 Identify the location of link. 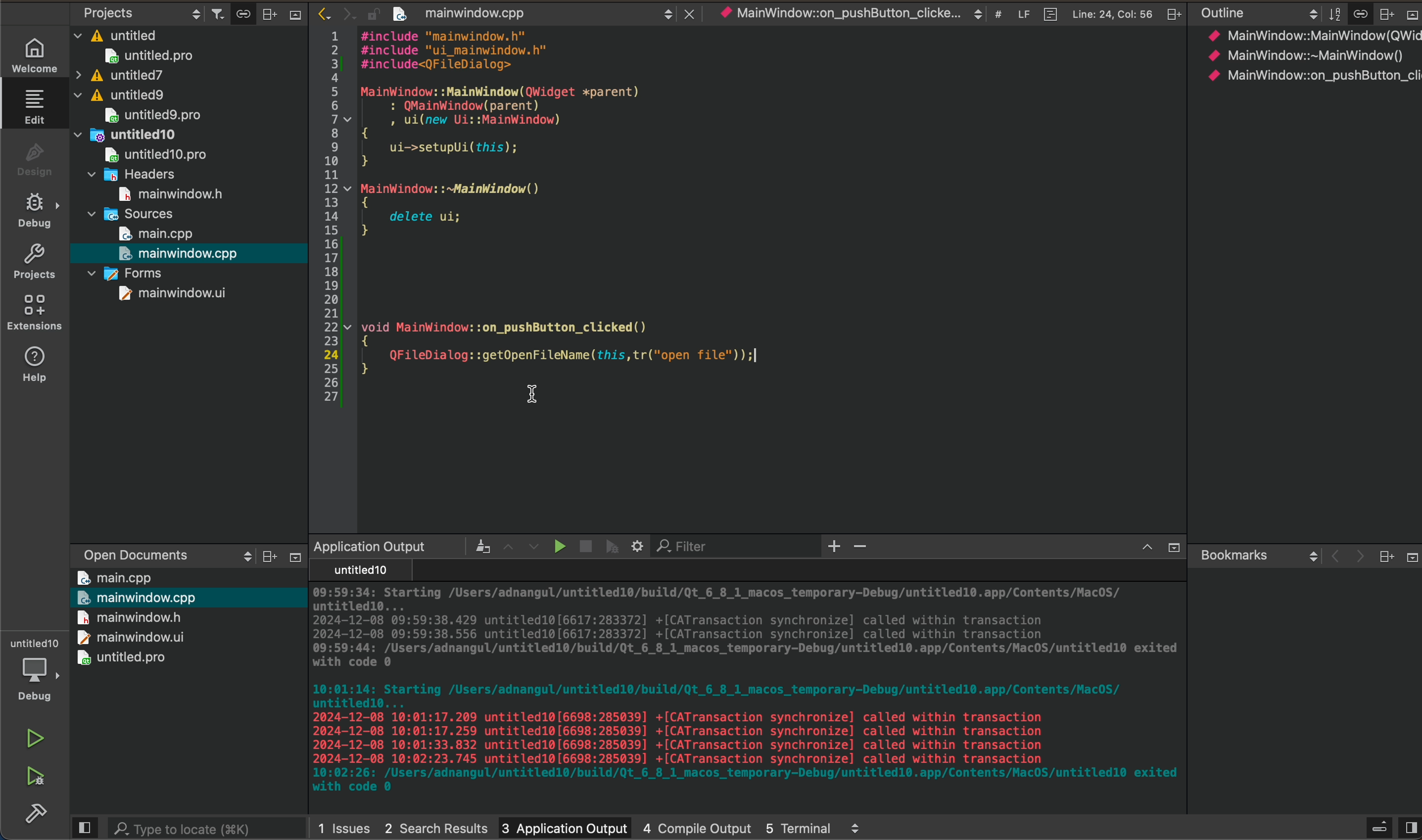
(1360, 12).